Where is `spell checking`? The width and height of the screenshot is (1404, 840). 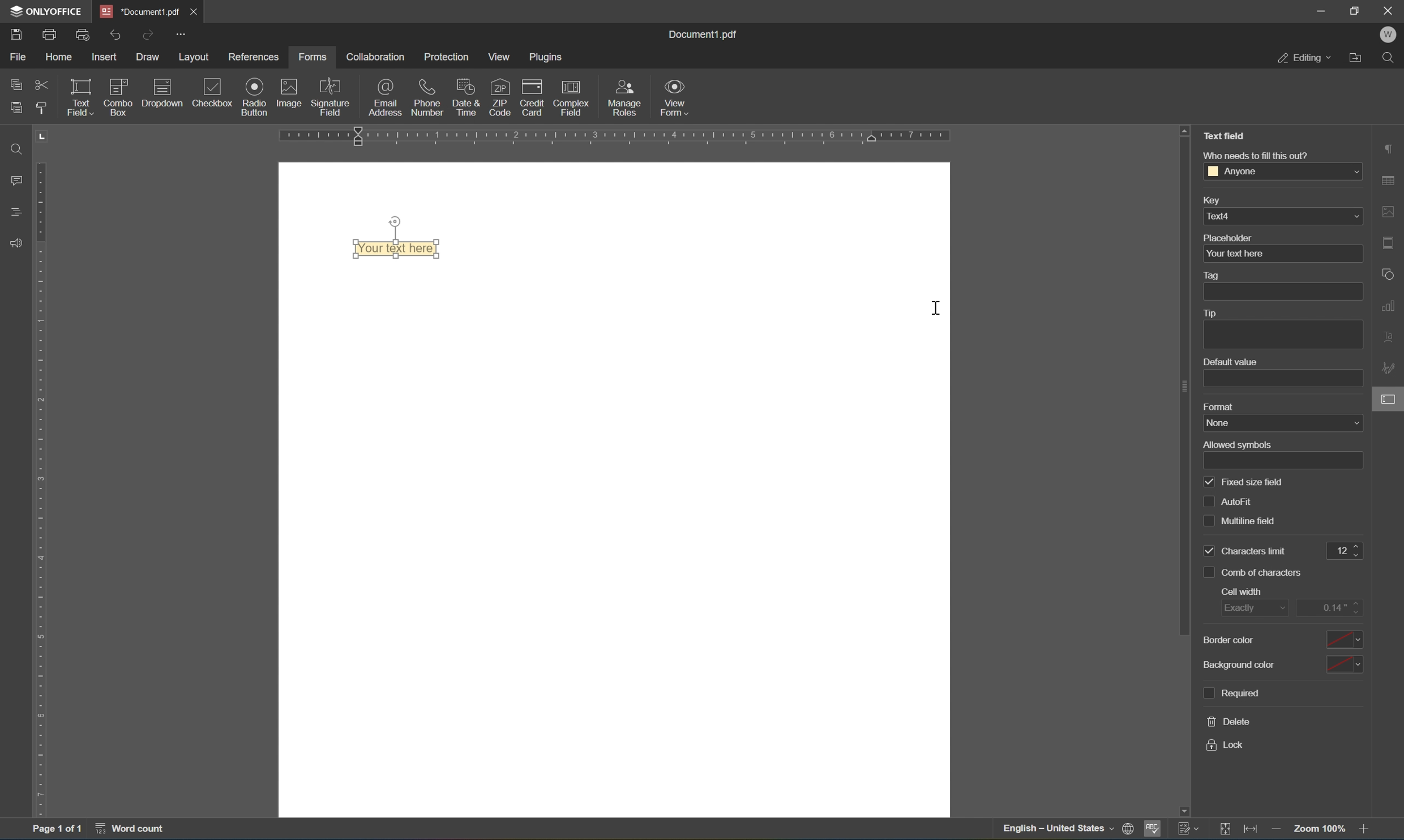 spell checking is located at coordinates (1152, 830).